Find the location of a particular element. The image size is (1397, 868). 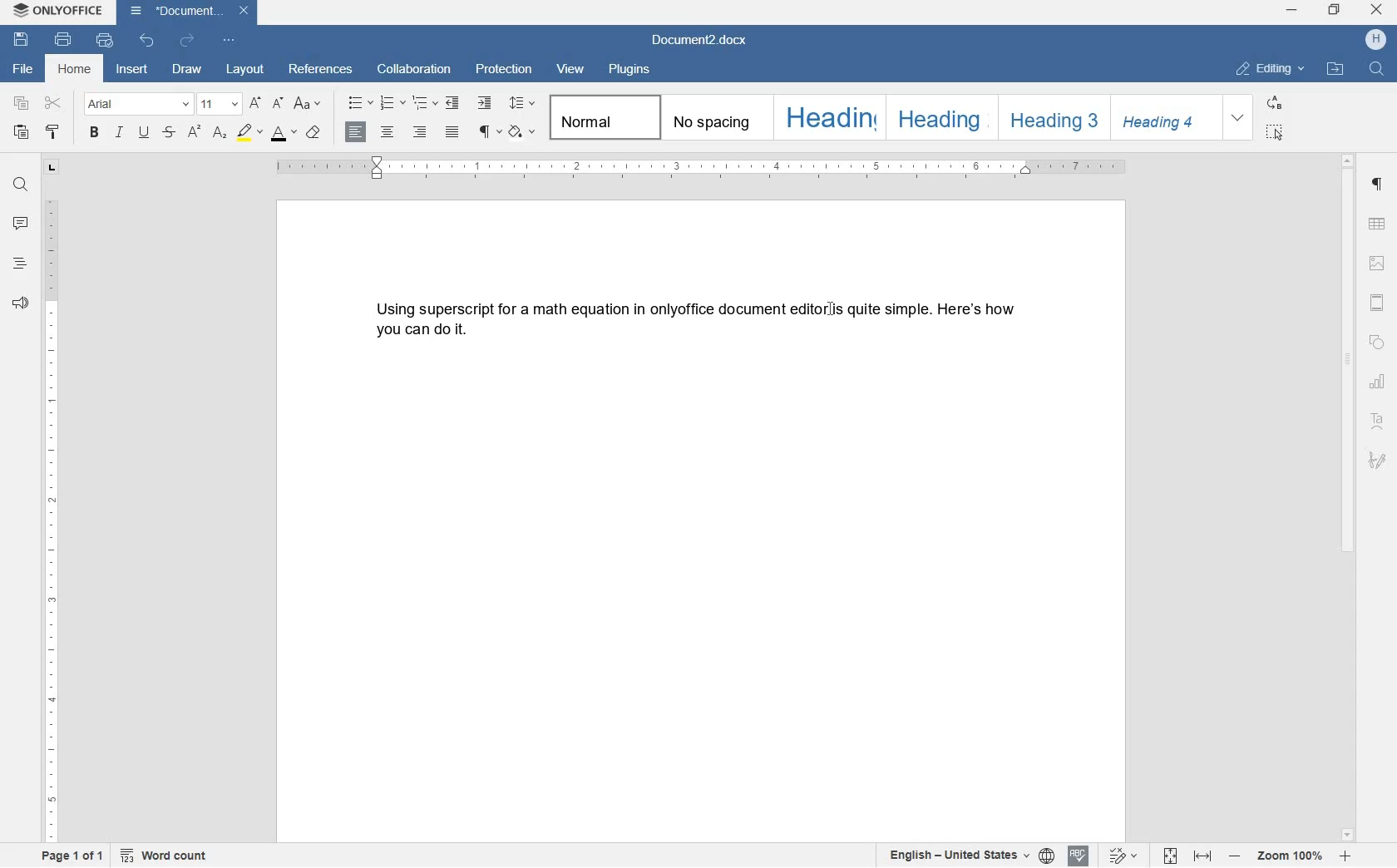

track changes is located at coordinates (1118, 856).